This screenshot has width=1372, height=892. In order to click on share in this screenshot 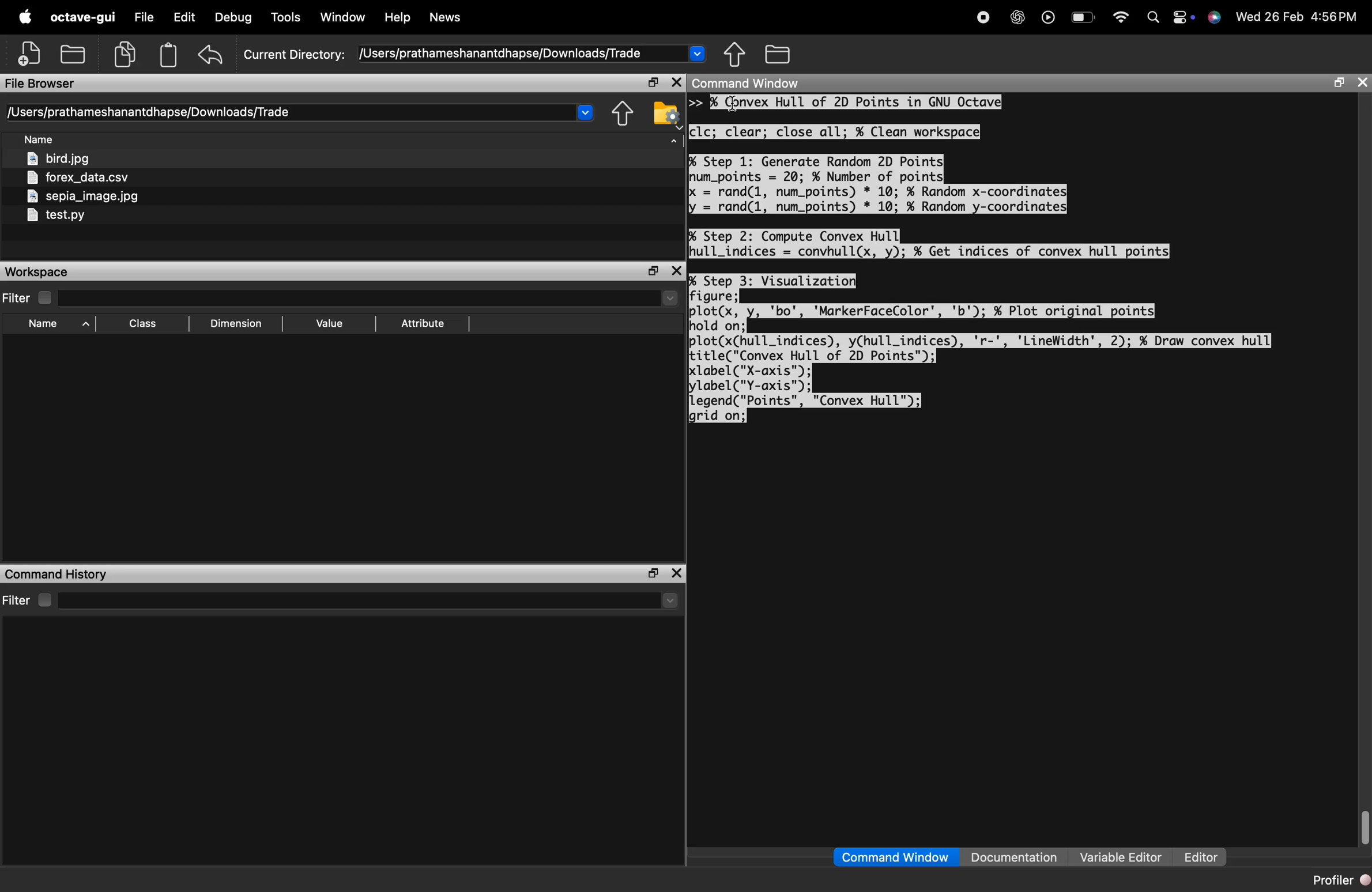, I will do `click(621, 114)`.